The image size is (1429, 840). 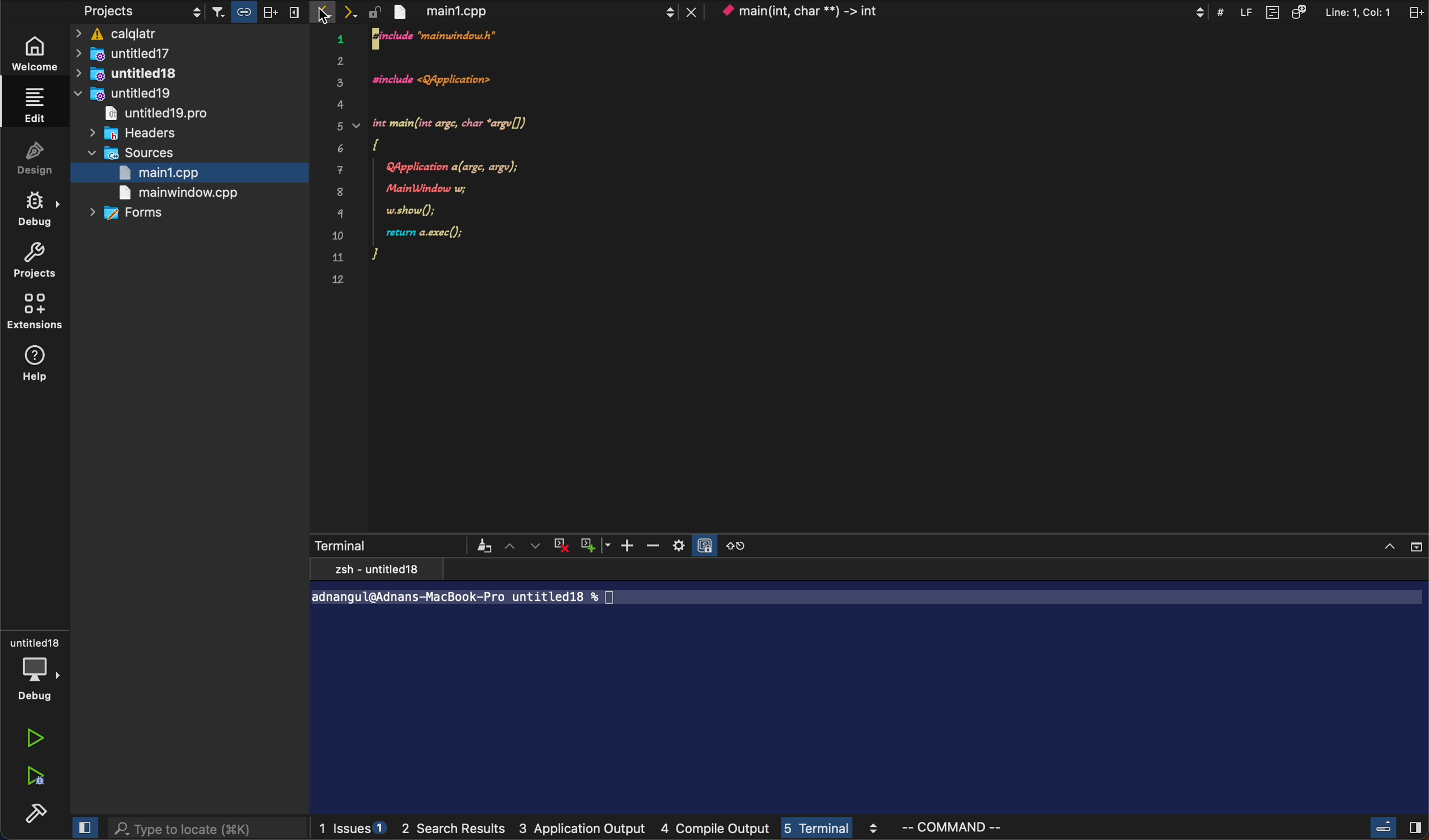 I want to click on filters, so click(x=256, y=12).